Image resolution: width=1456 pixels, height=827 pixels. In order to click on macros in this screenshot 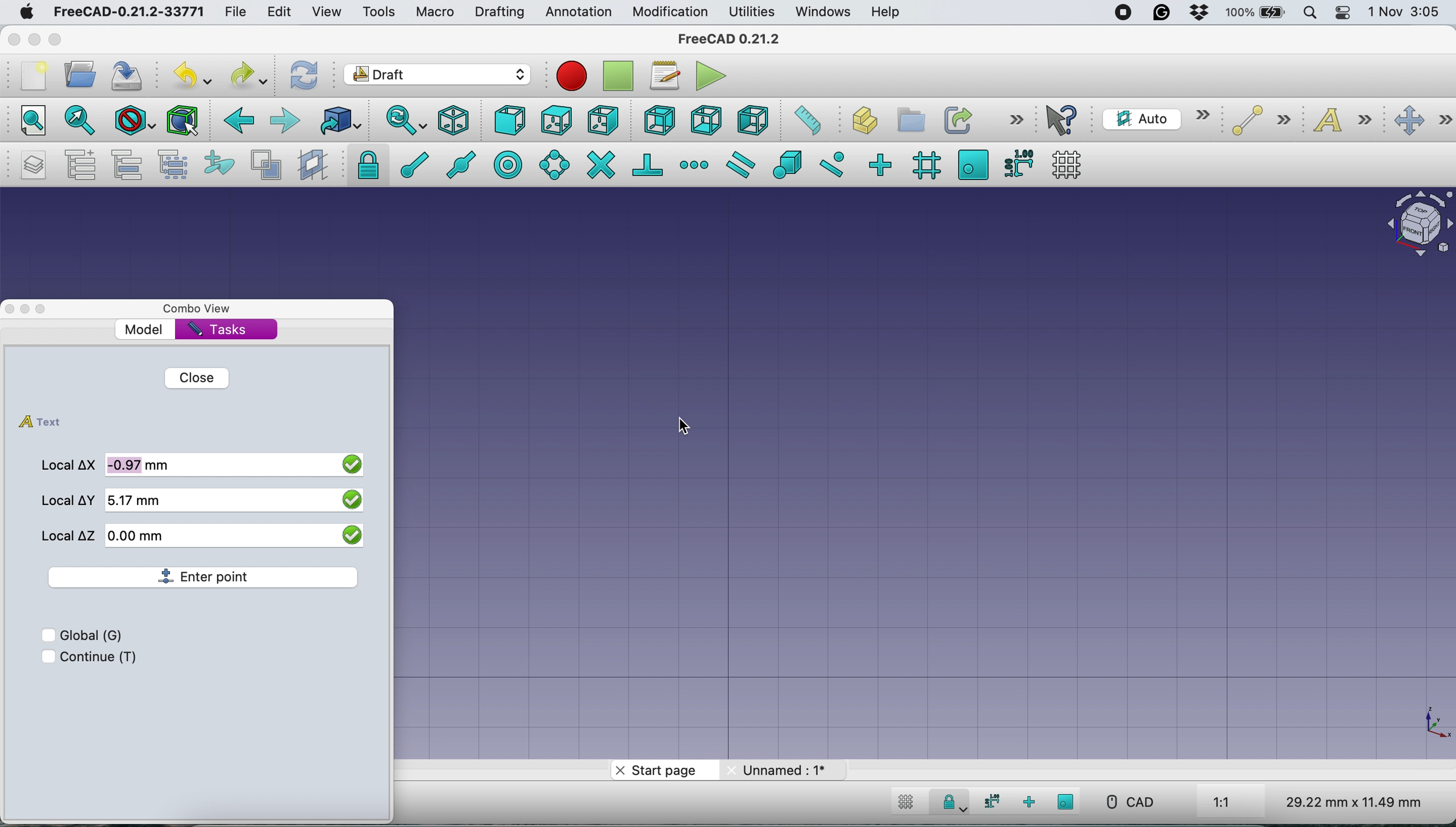, I will do `click(667, 74)`.